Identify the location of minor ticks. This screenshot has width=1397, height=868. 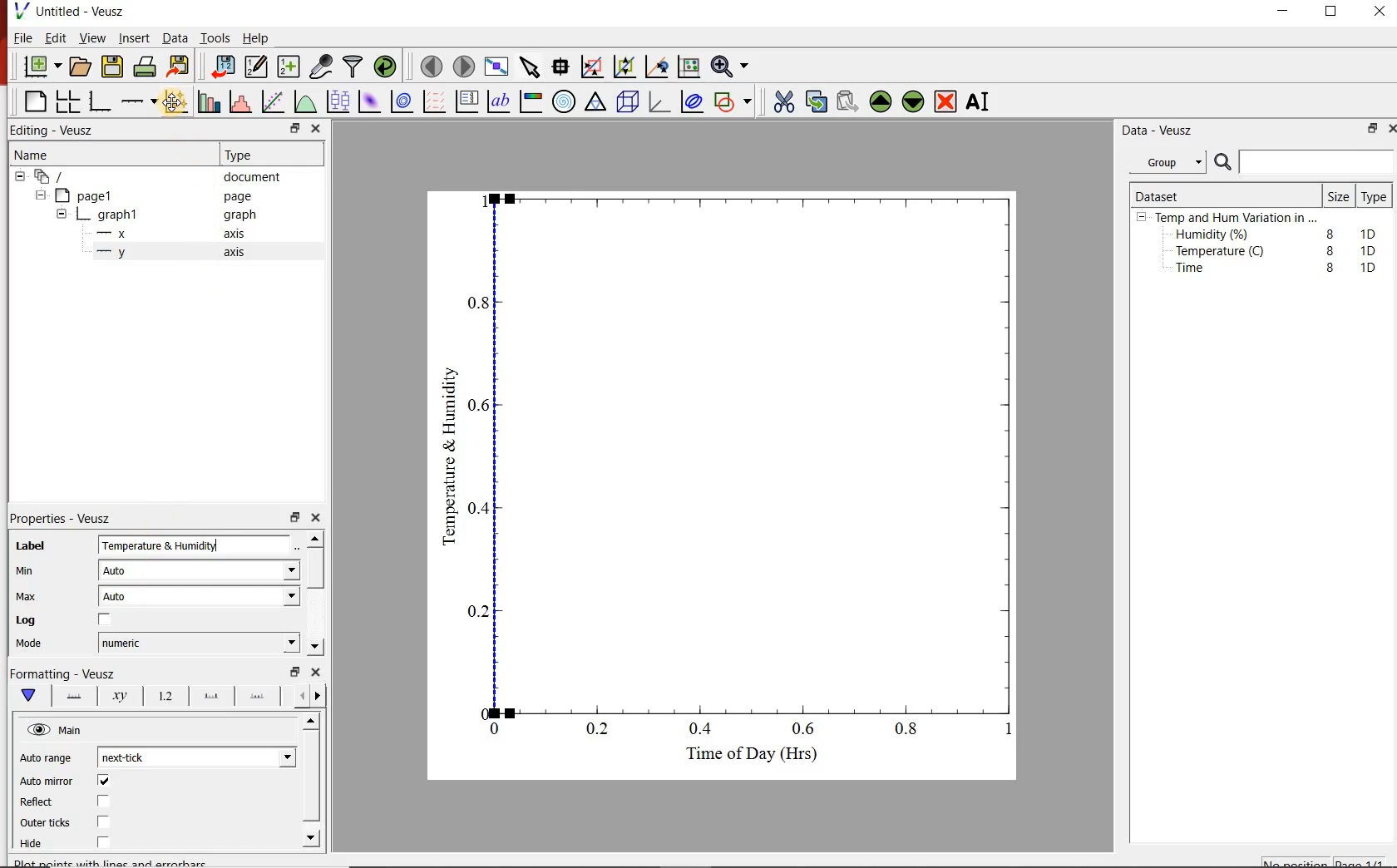
(259, 697).